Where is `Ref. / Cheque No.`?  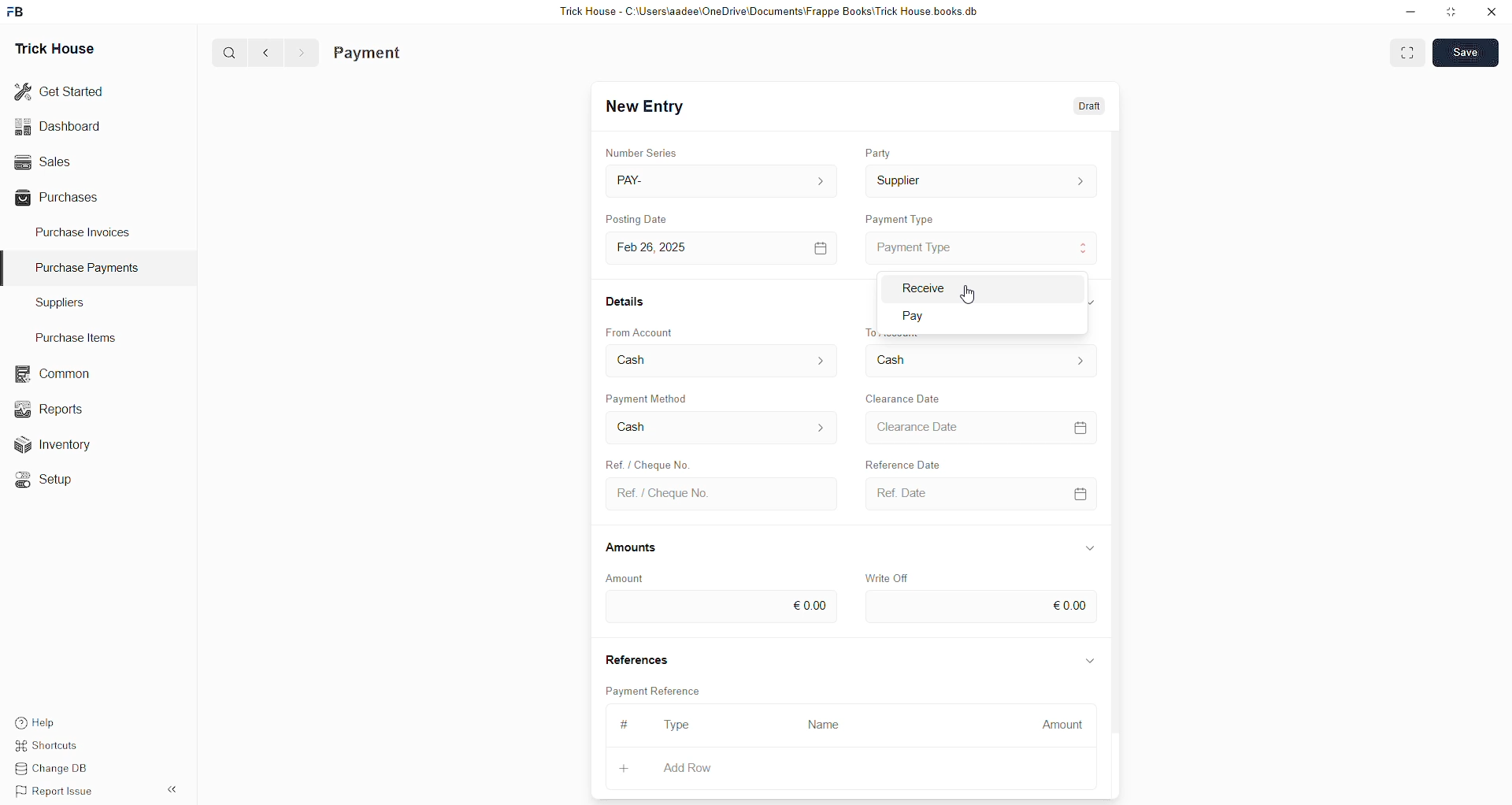 Ref. / Cheque No. is located at coordinates (656, 465).